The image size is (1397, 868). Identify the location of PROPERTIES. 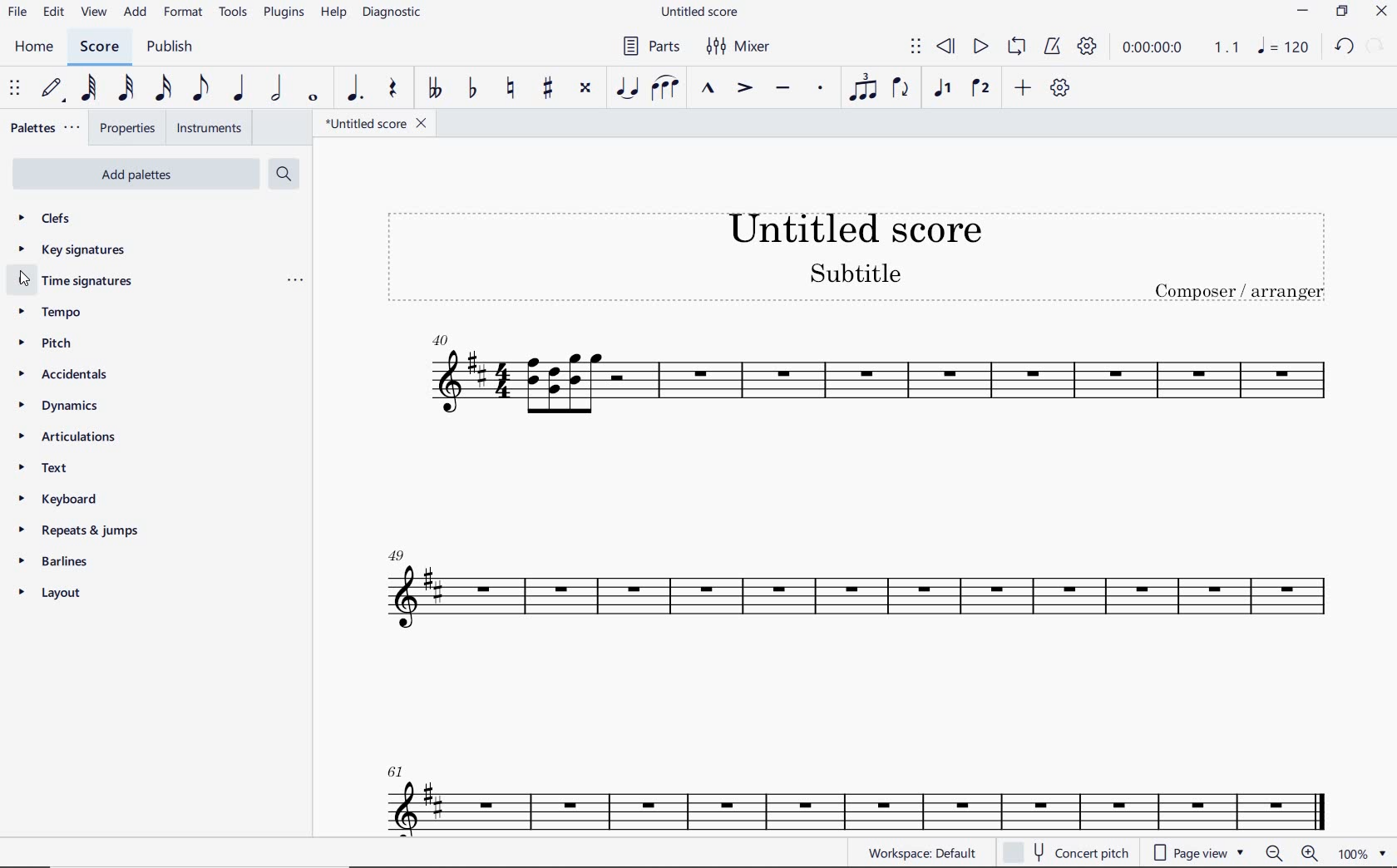
(126, 129).